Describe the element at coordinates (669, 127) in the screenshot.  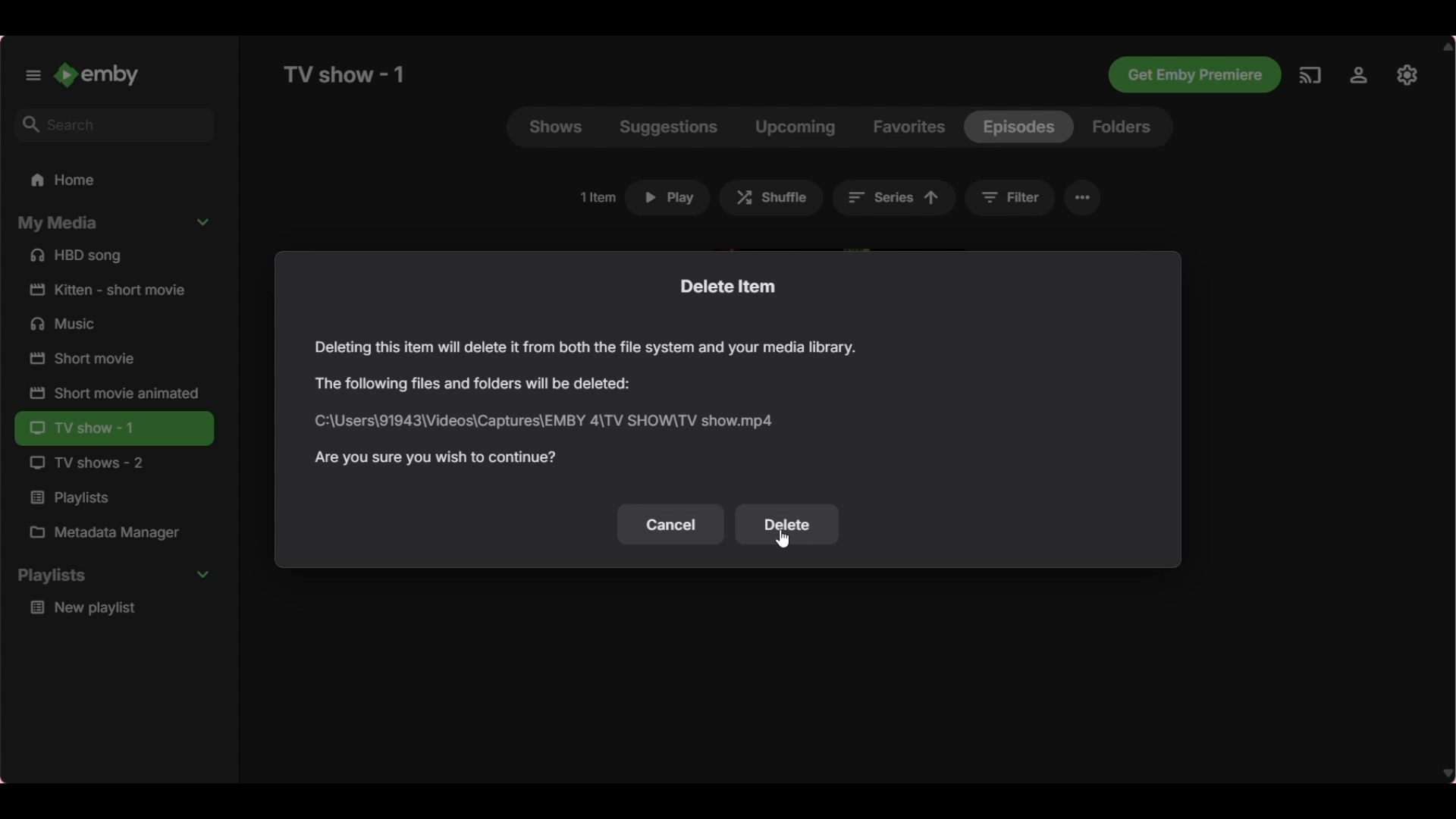
I see `Suggestions` at that location.